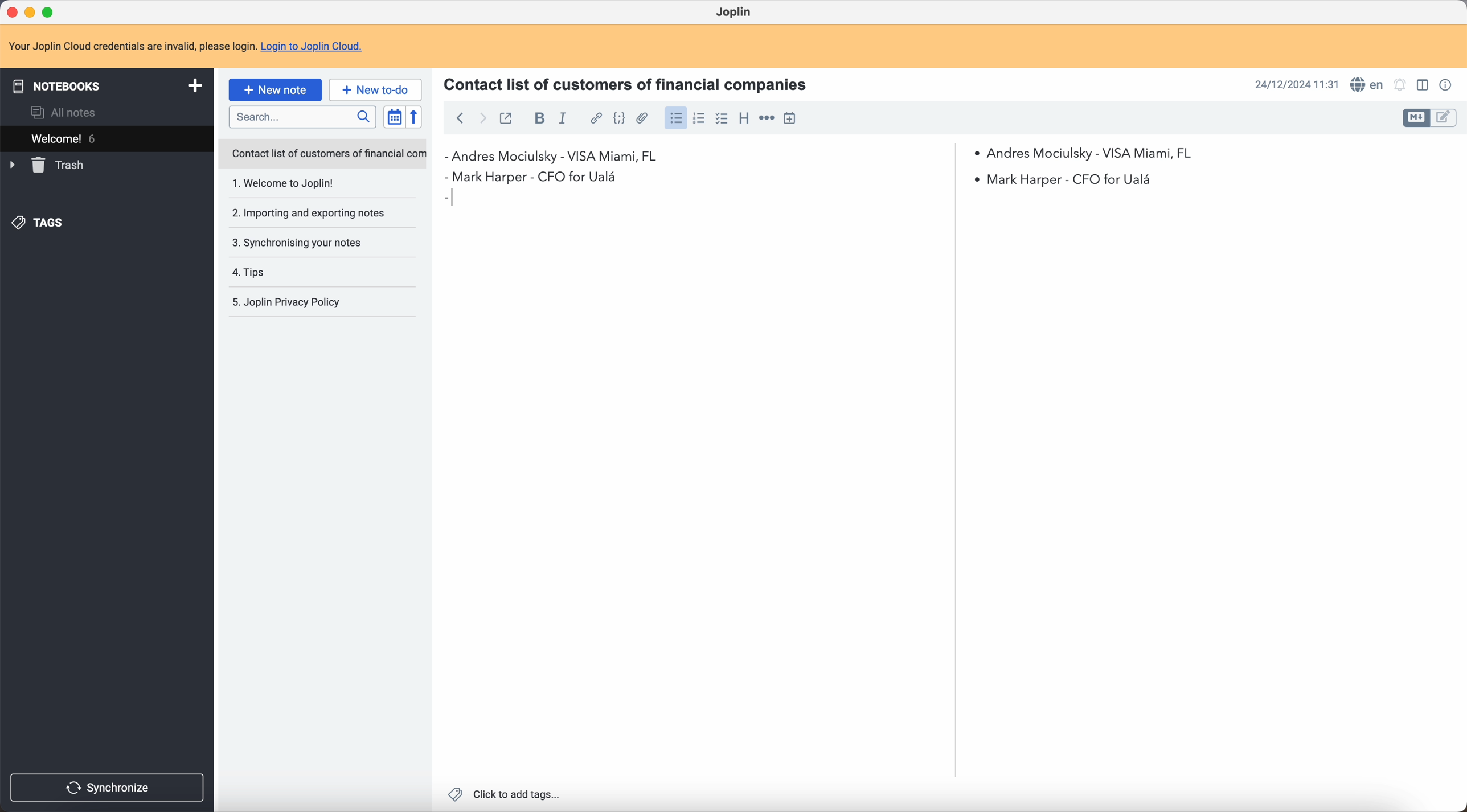 The width and height of the screenshot is (1467, 812). I want to click on minimize, so click(30, 11).